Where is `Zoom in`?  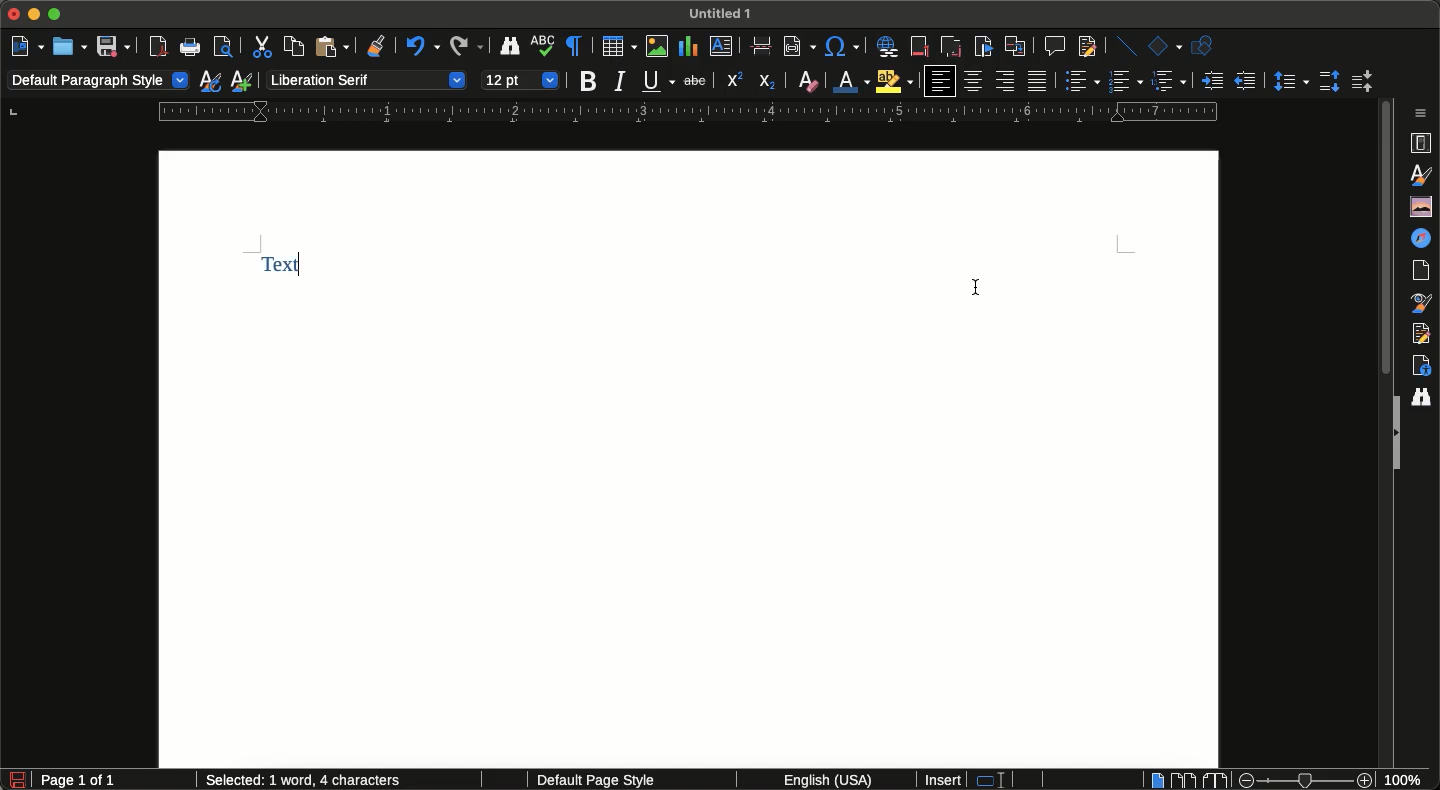 Zoom in is located at coordinates (1367, 781).